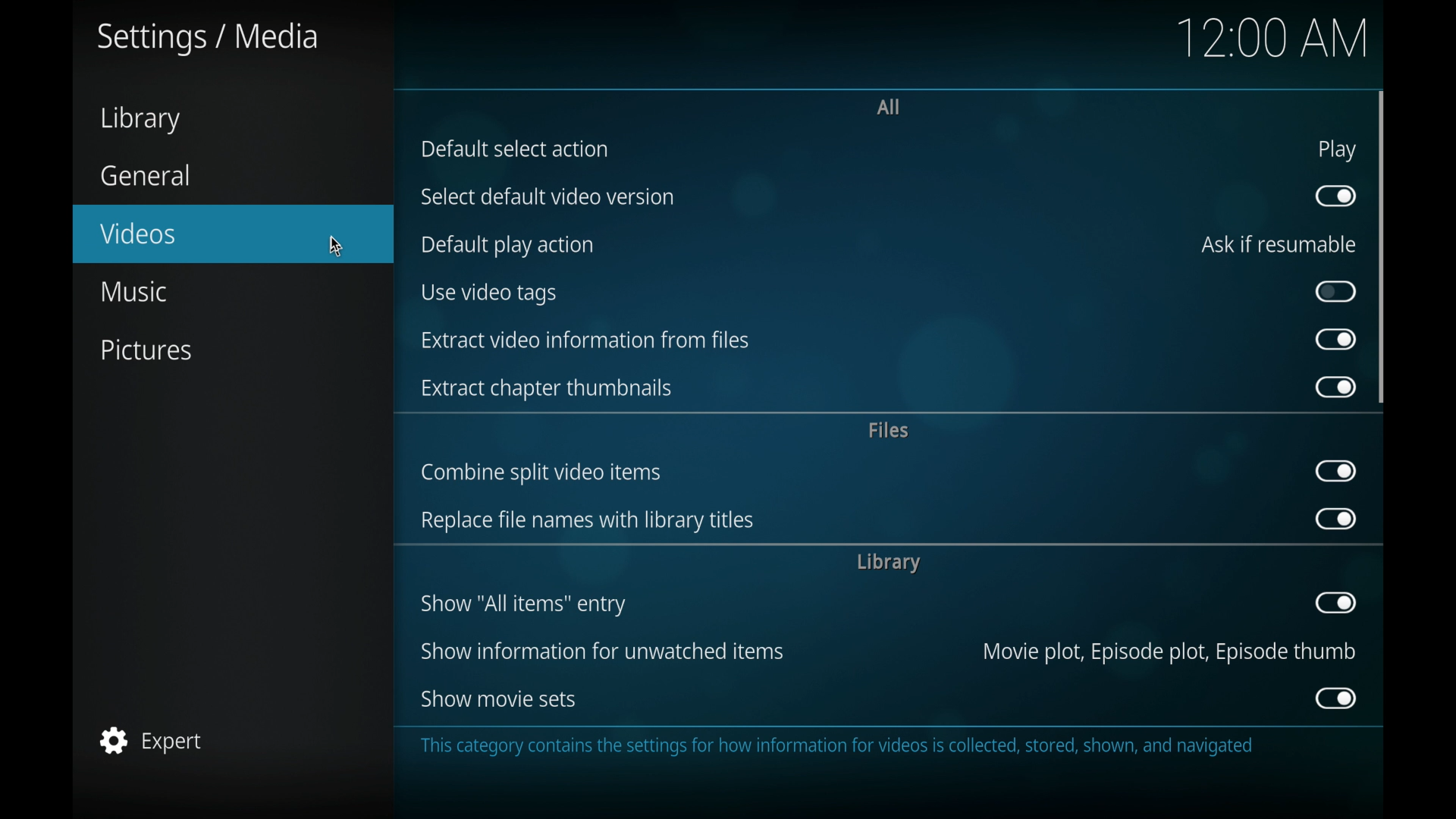 This screenshot has height=819, width=1456. I want to click on toggle button, so click(1334, 338).